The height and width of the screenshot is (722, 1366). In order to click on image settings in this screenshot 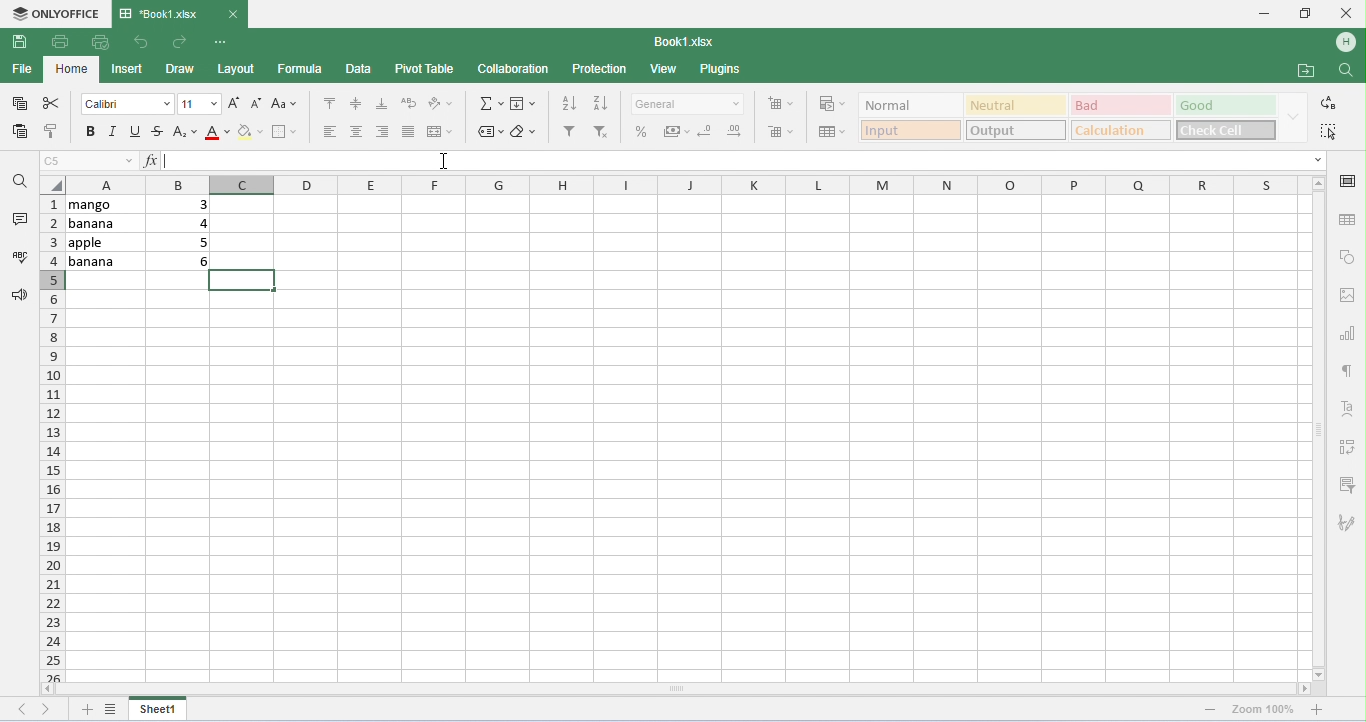, I will do `click(1350, 297)`.